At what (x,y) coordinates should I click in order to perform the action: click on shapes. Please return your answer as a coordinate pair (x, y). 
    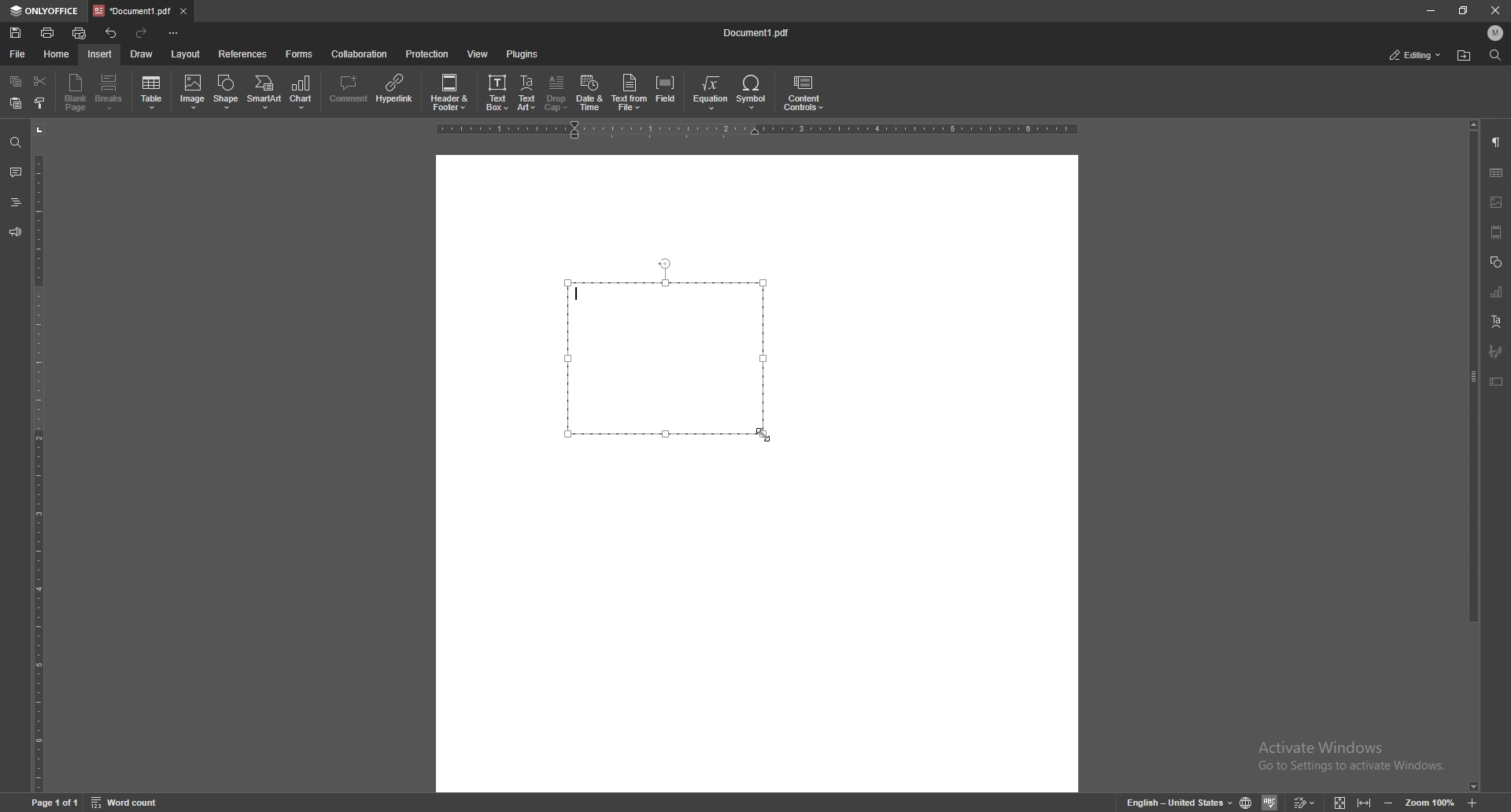
    Looking at the image, I should click on (1496, 262).